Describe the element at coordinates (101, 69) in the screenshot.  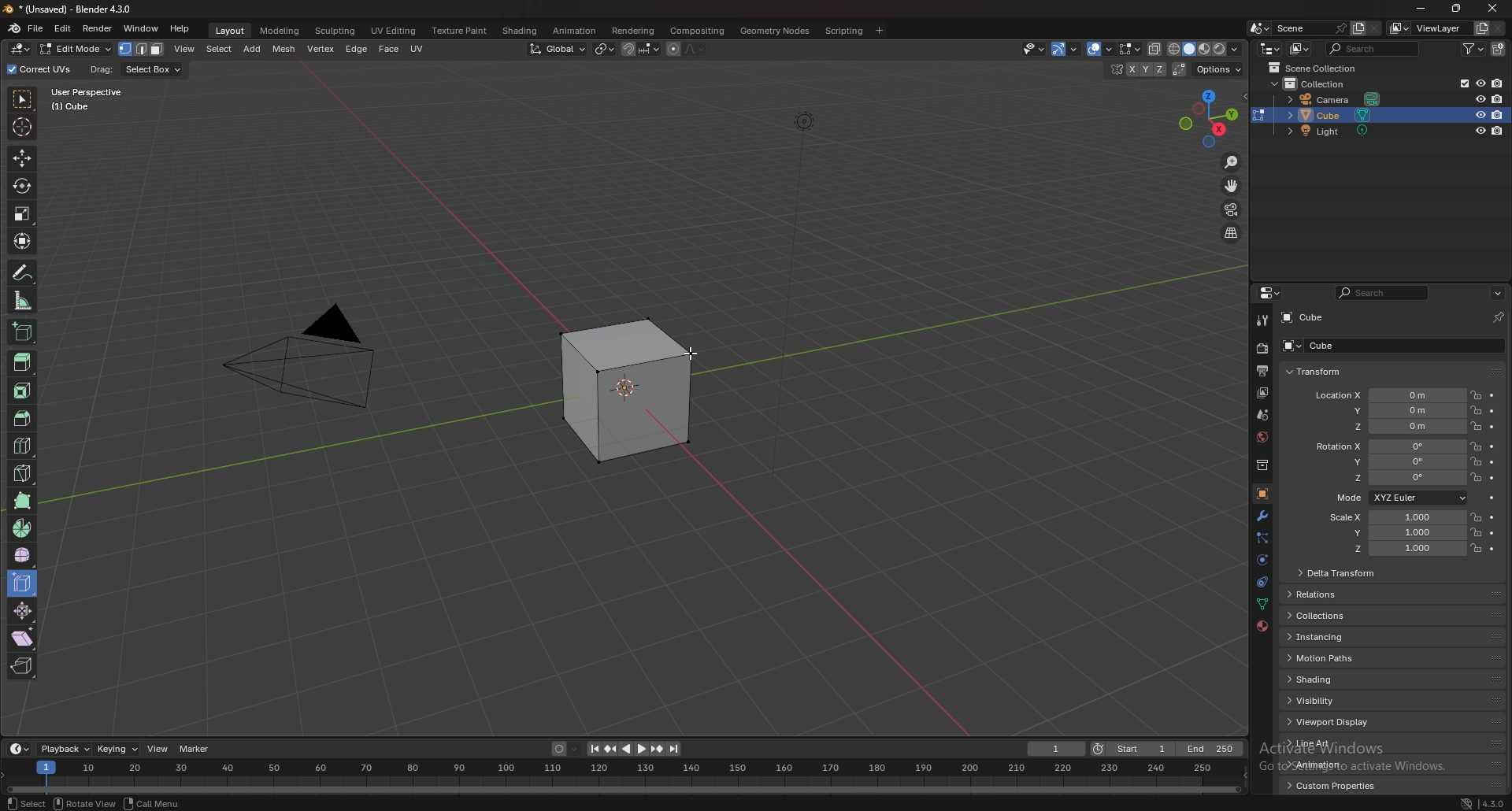
I see `drag` at that location.